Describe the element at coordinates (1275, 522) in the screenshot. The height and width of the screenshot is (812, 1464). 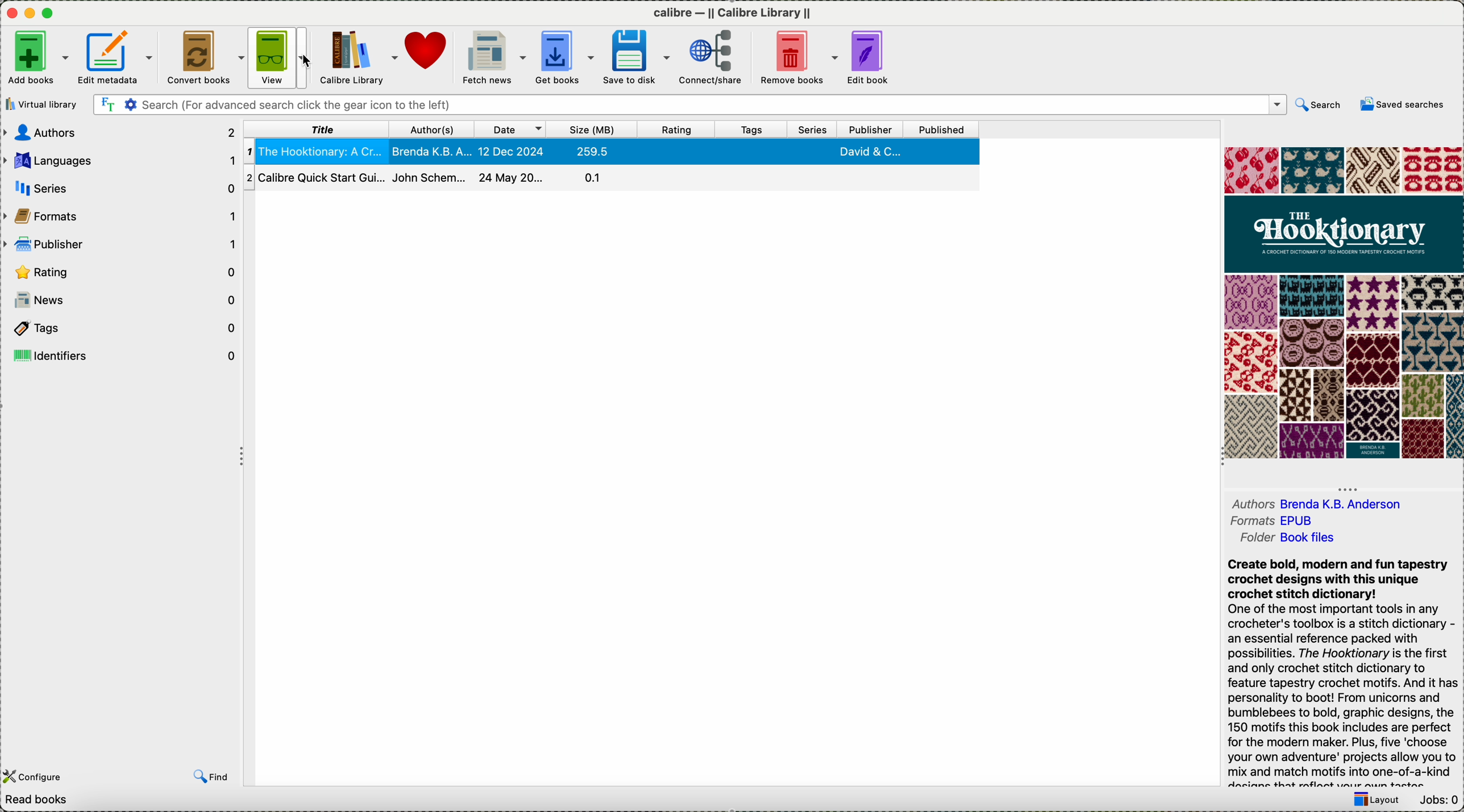
I see `formats` at that location.